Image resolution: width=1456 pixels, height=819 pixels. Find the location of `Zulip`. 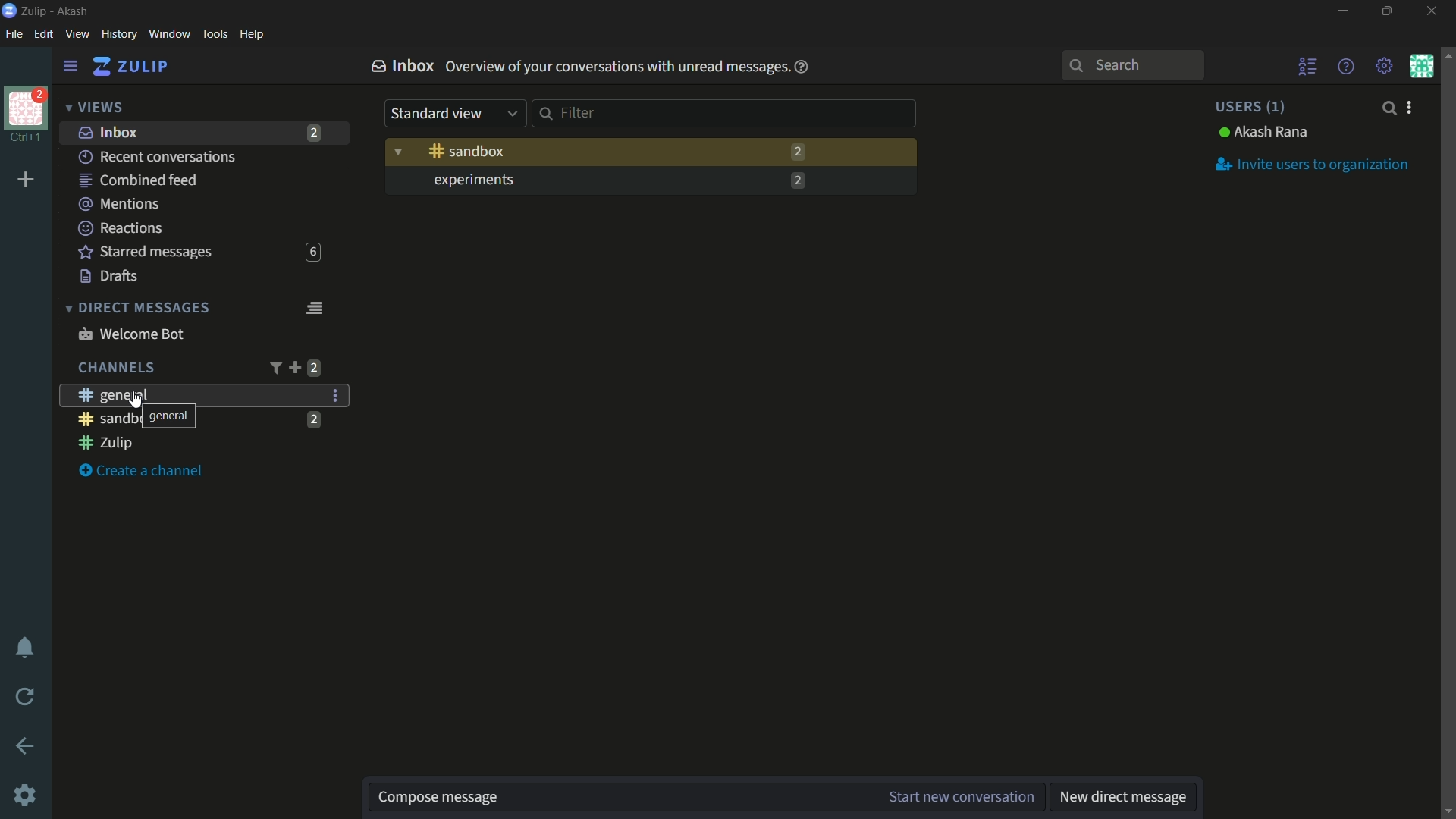

Zulip is located at coordinates (36, 11).